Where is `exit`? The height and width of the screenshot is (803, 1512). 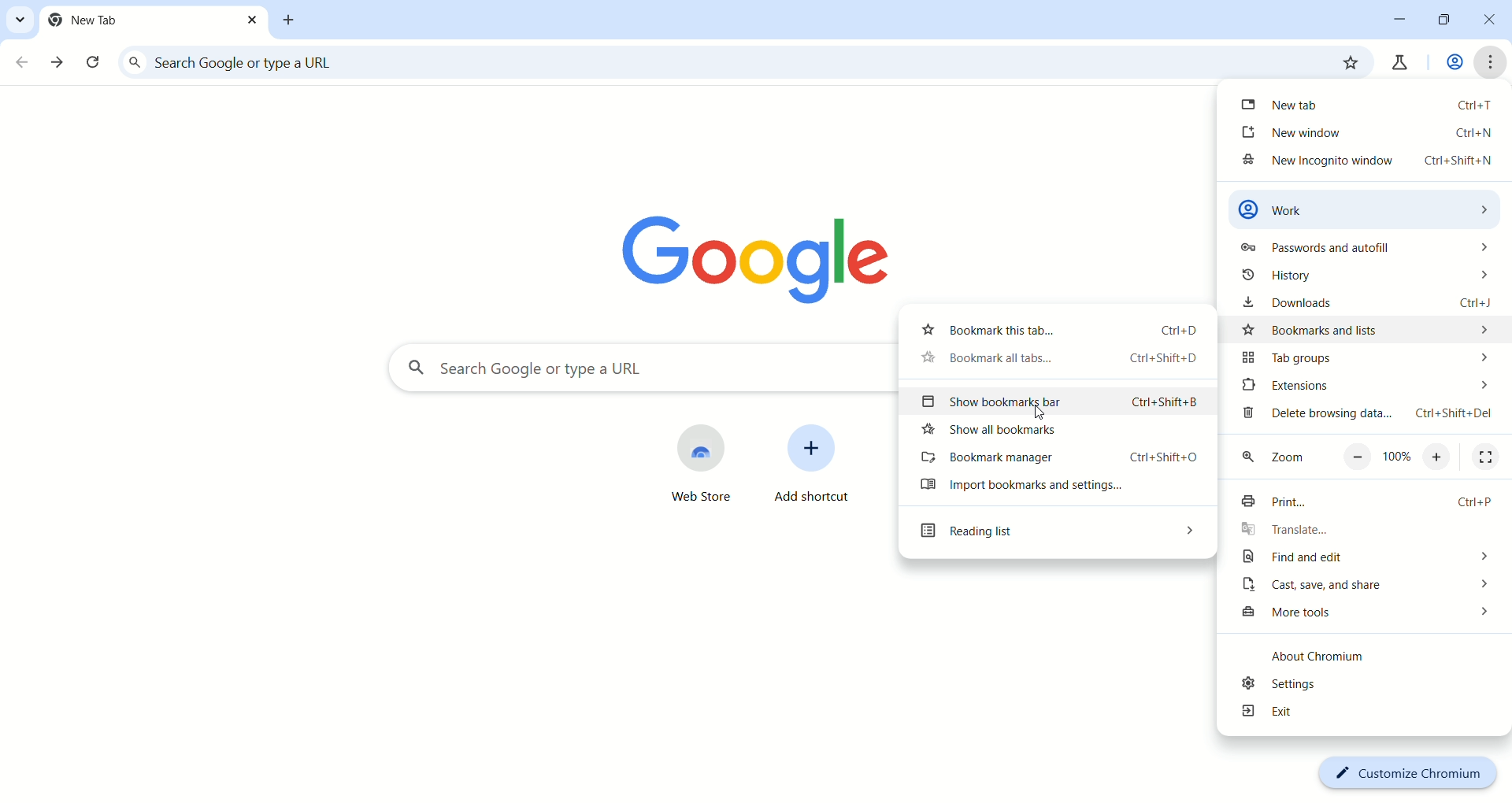
exit is located at coordinates (1364, 714).